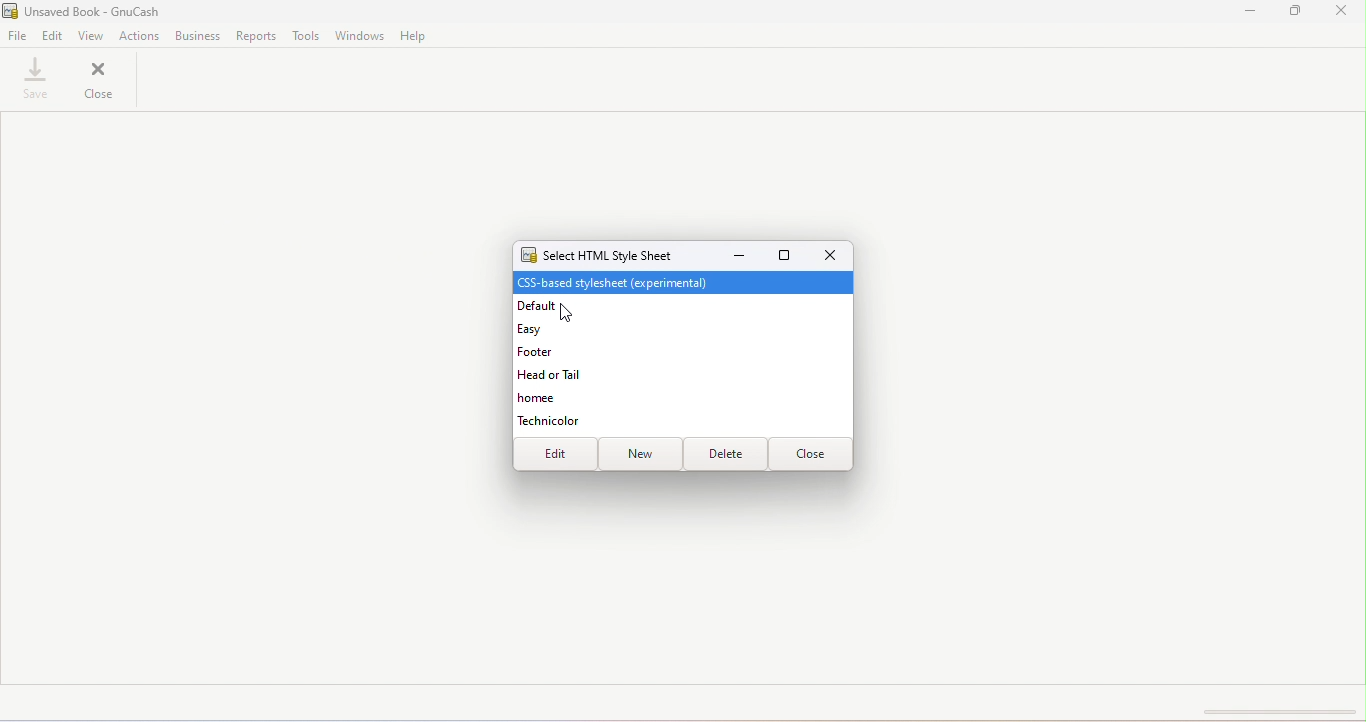 The width and height of the screenshot is (1366, 722). I want to click on Easy, so click(534, 328).